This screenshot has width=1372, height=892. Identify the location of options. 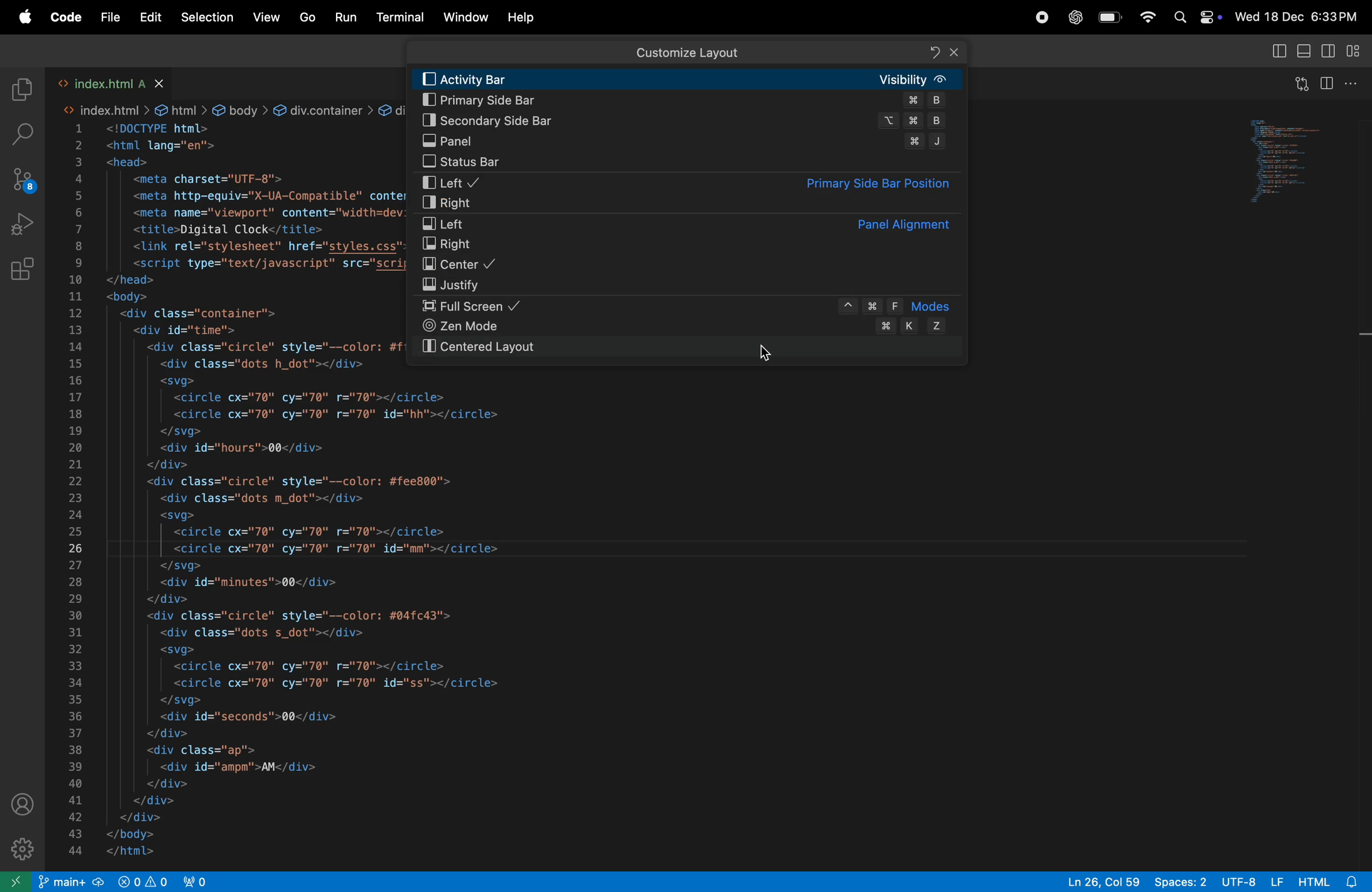
(1356, 82).